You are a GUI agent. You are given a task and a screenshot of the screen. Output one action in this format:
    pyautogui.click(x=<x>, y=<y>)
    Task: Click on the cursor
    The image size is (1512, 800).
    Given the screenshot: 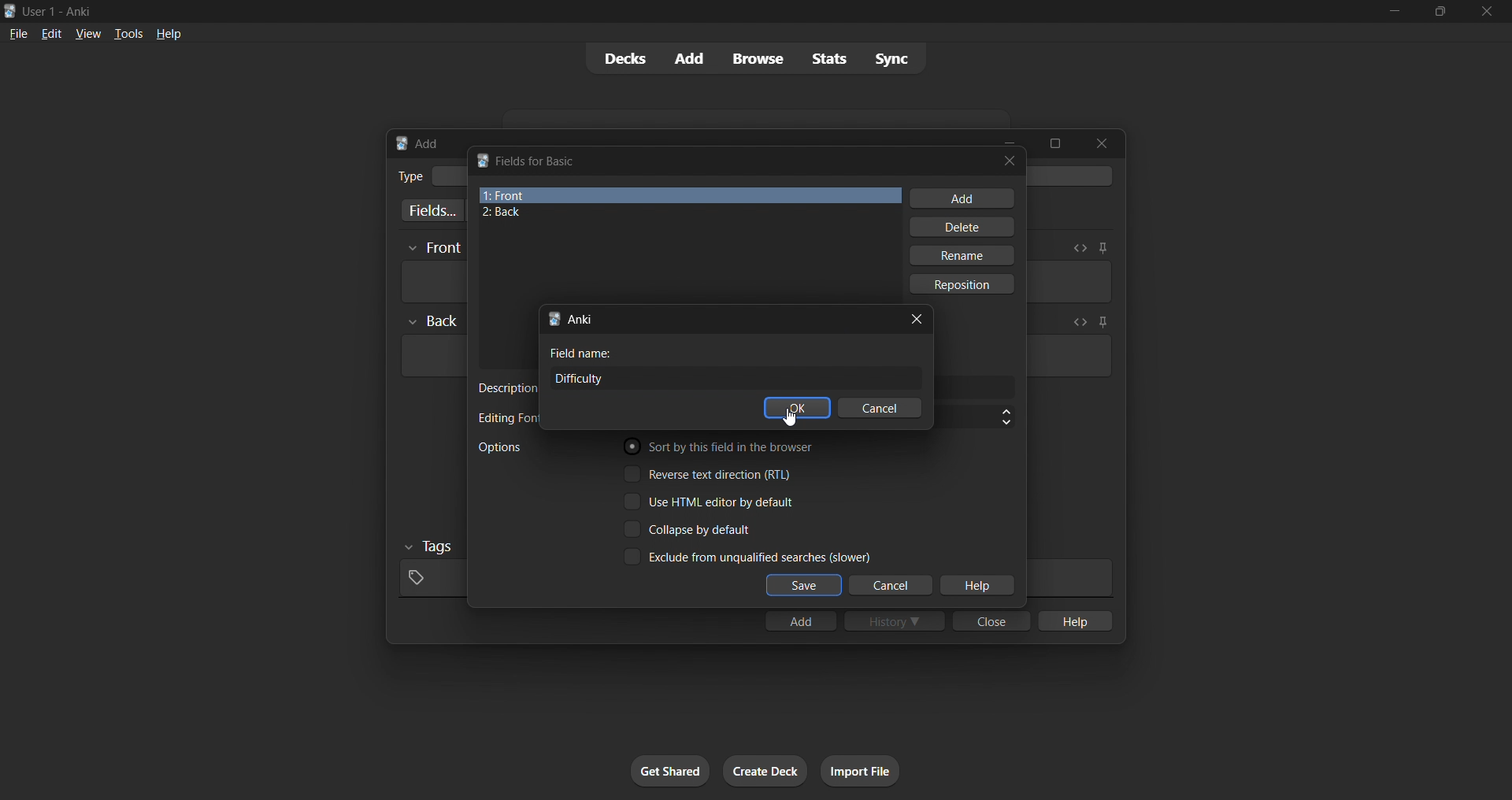 What is the action you would take?
    pyautogui.click(x=789, y=417)
    